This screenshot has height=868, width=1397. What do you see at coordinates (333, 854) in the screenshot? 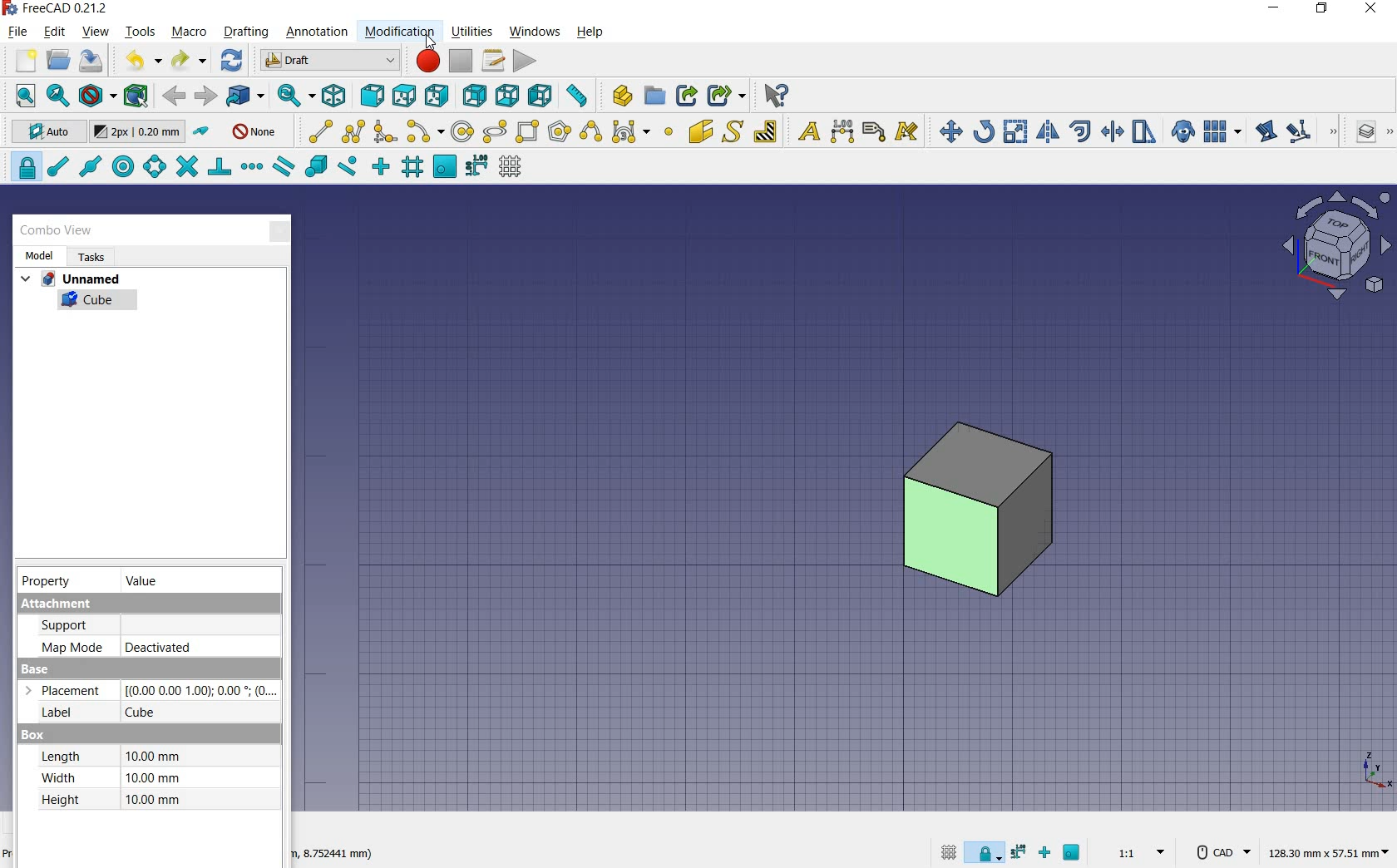
I see `dimension` at bounding box center [333, 854].